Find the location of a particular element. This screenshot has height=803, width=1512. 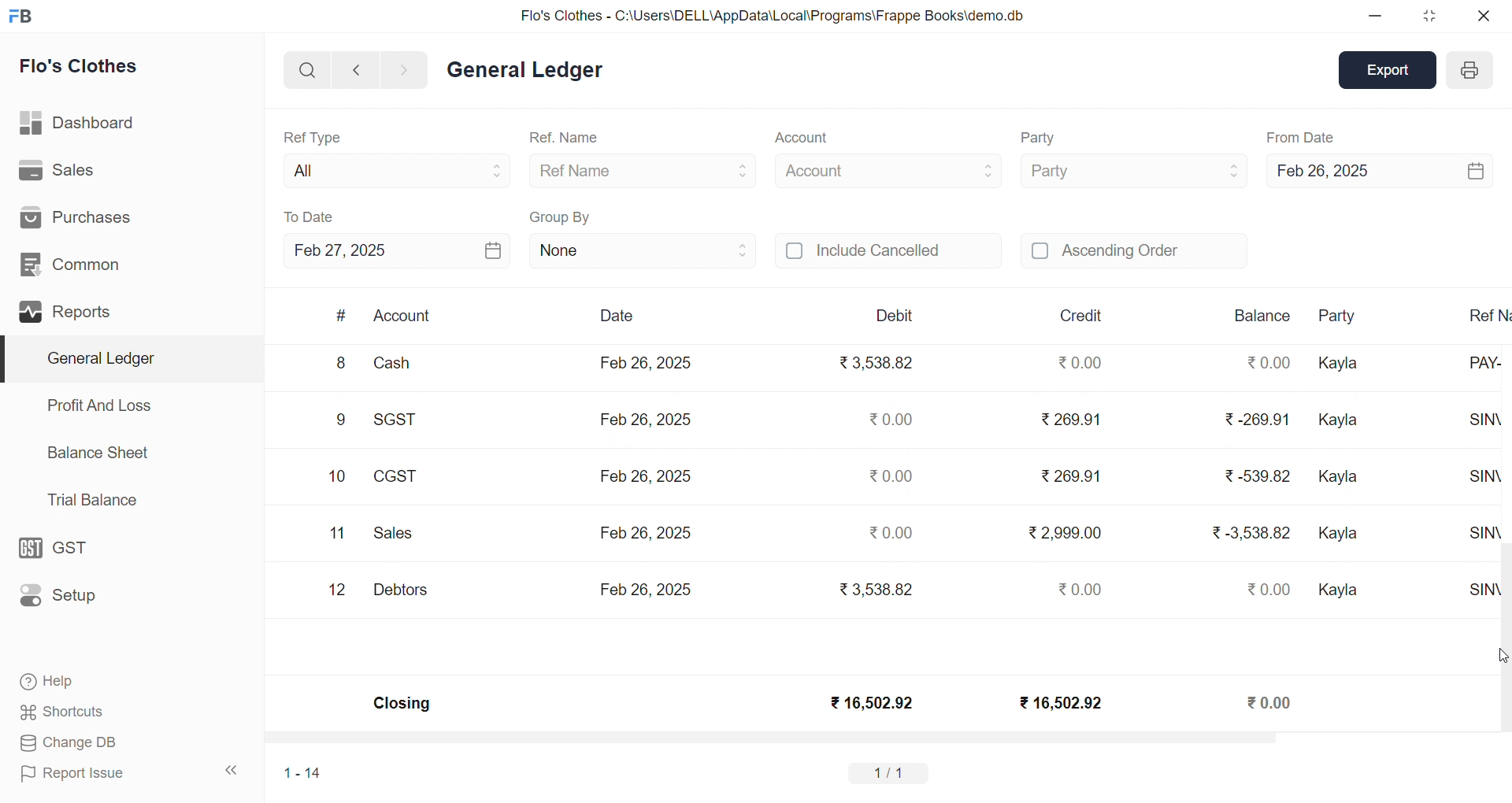

PAY- is located at coordinates (1477, 370).